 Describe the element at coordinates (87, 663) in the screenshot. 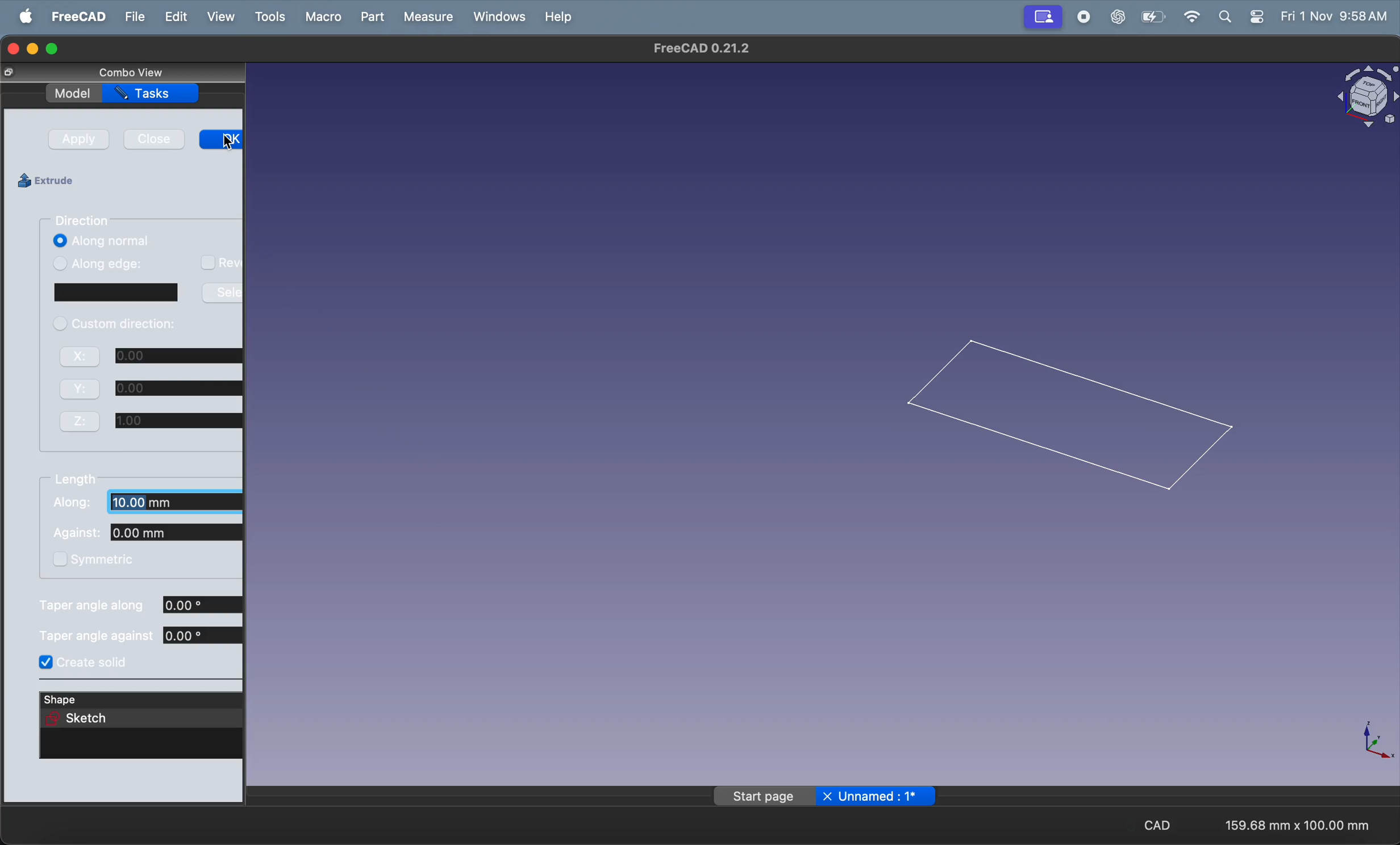

I see `create soild` at that location.